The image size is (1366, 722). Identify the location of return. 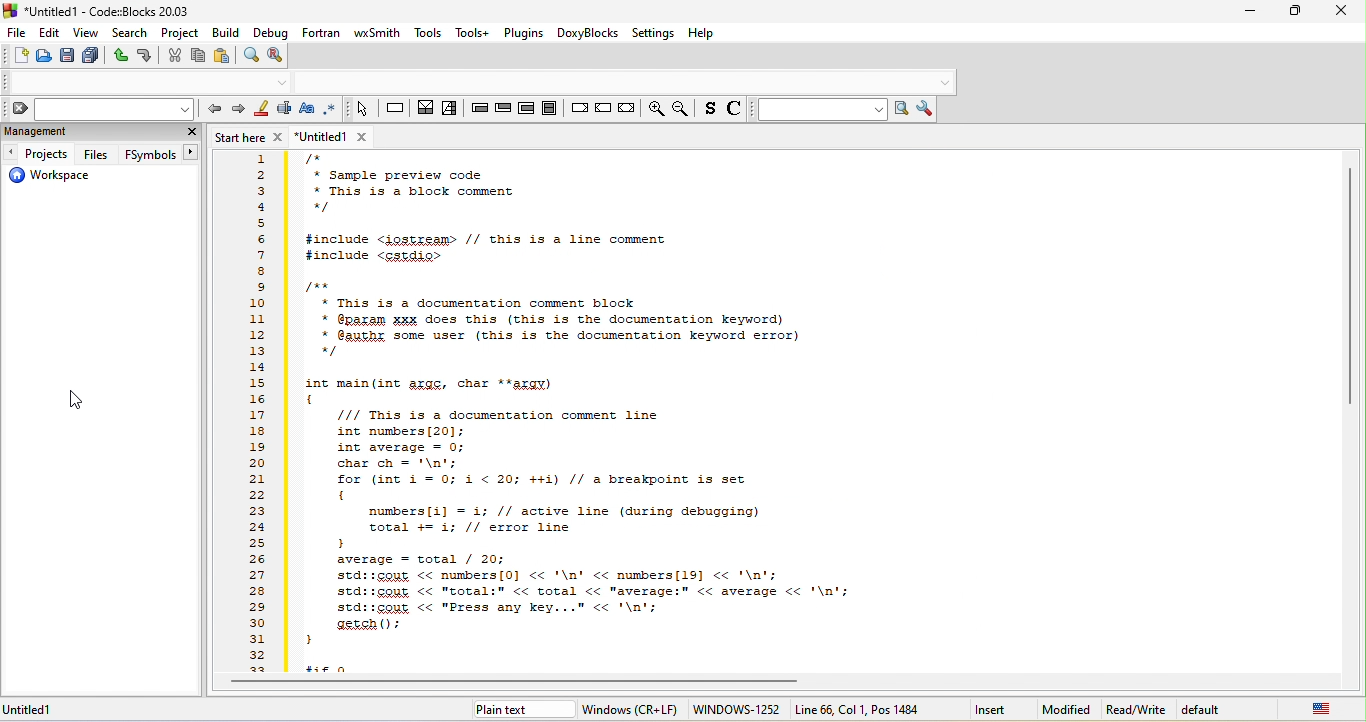
(625, 109).